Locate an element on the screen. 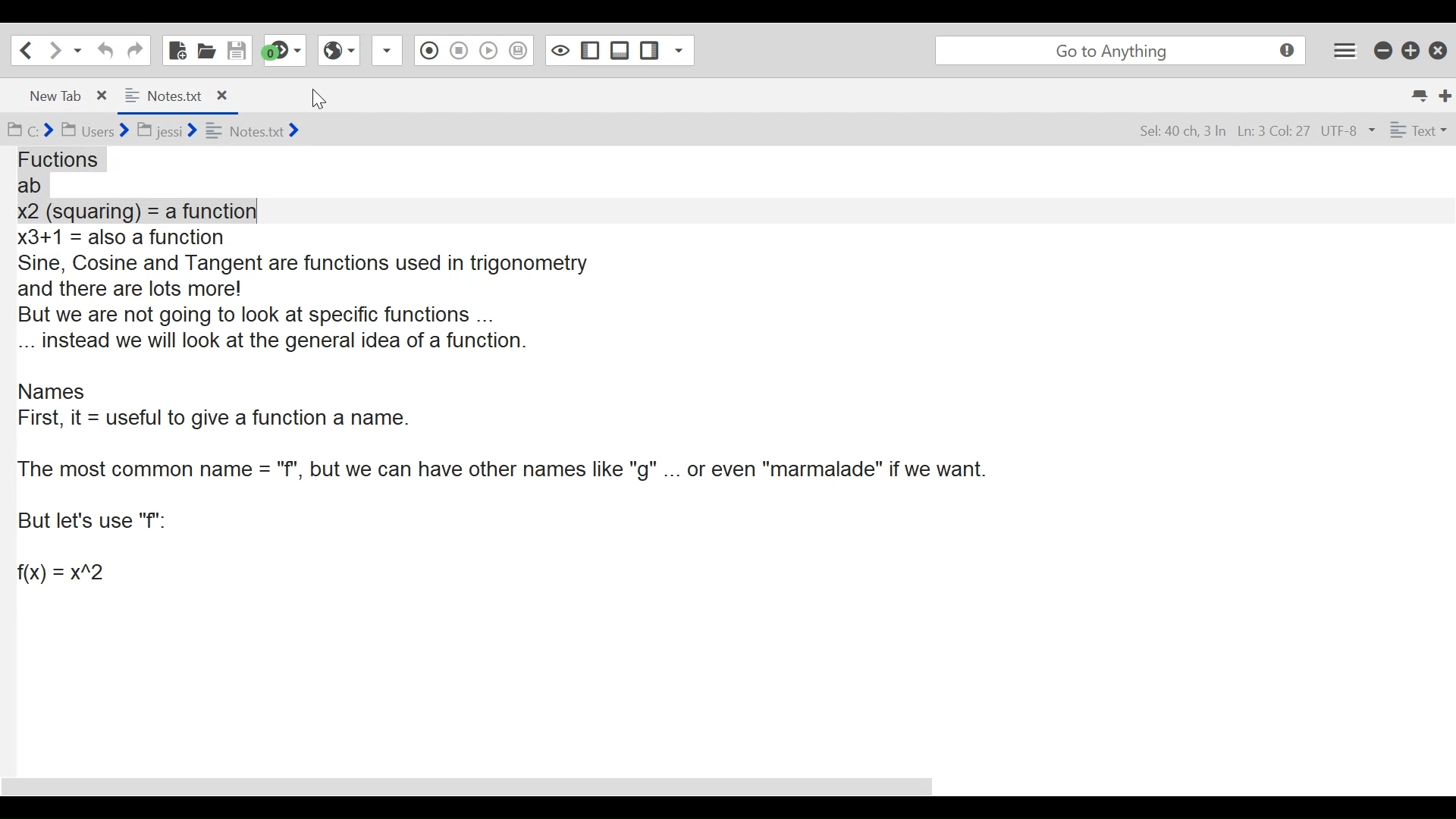 This screenshot has width=1456, height=819. Open Tab is located at coordinates (61, 95).